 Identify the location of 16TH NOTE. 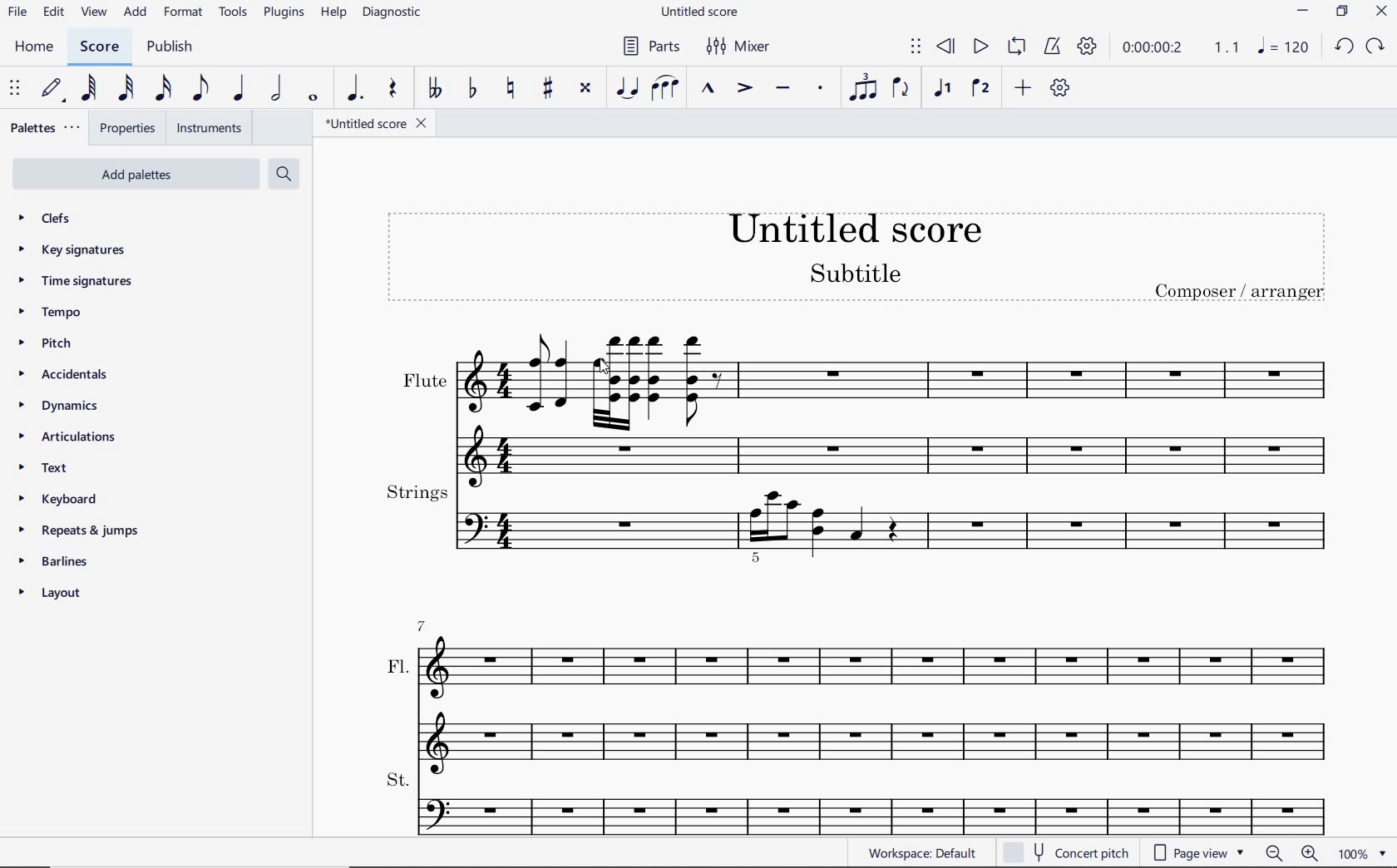
(164, 91).